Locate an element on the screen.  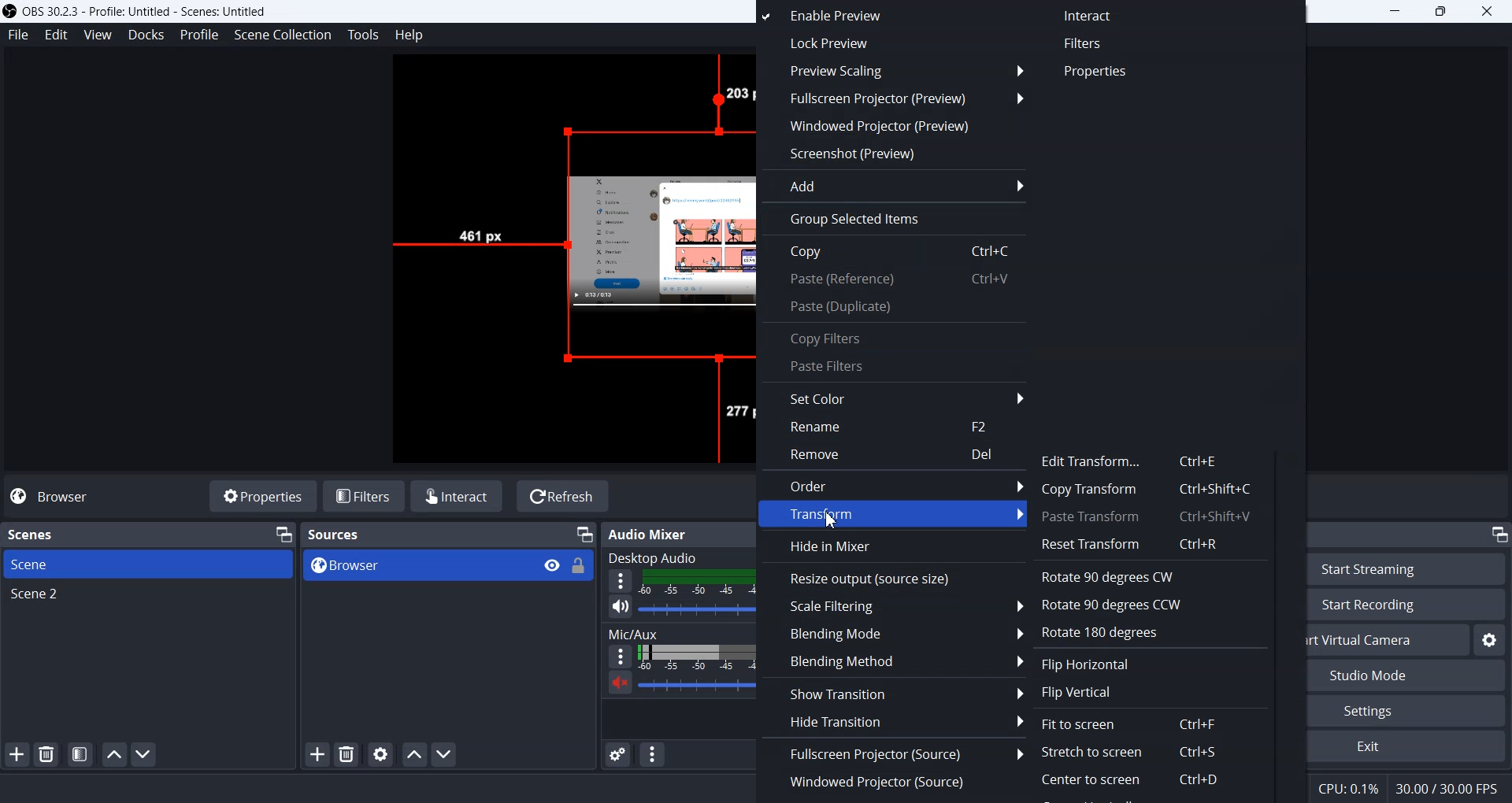
More is located at coordinates (621, 580).